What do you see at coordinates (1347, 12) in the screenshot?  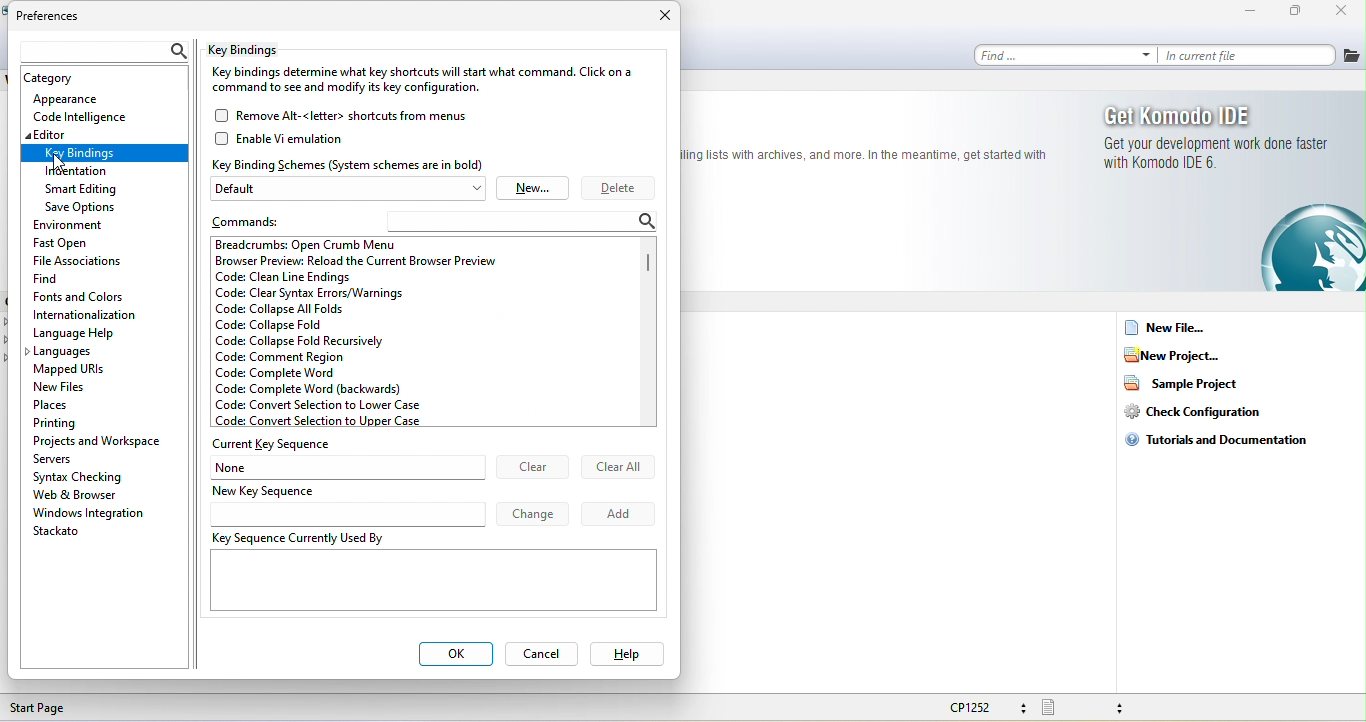 I see `close` at bounding box center [1347, 12].